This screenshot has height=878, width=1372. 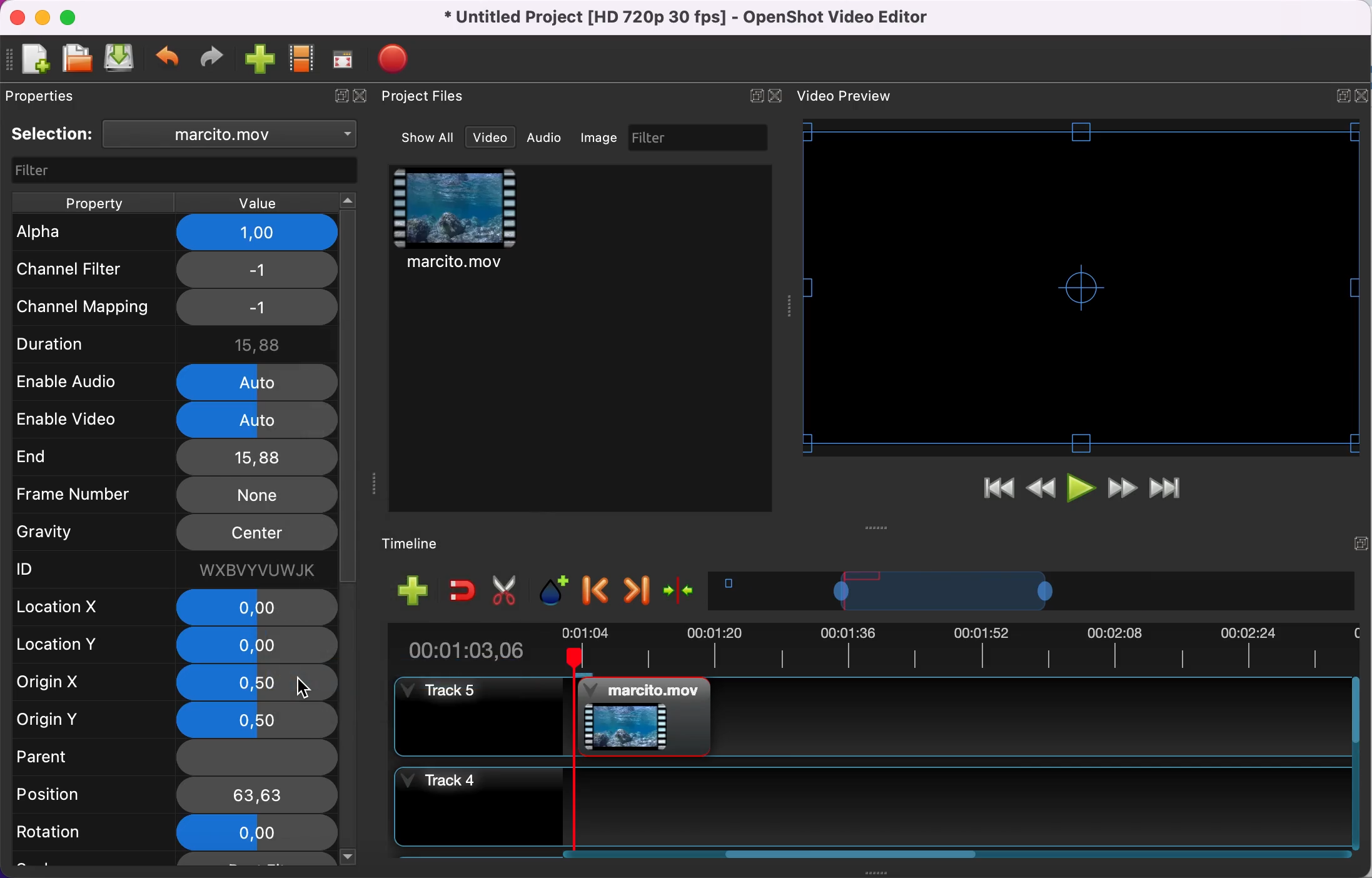 What do you see at coordinates (76, 59) in the screenshot?
I see `open file` at bounding box center [76, 59].